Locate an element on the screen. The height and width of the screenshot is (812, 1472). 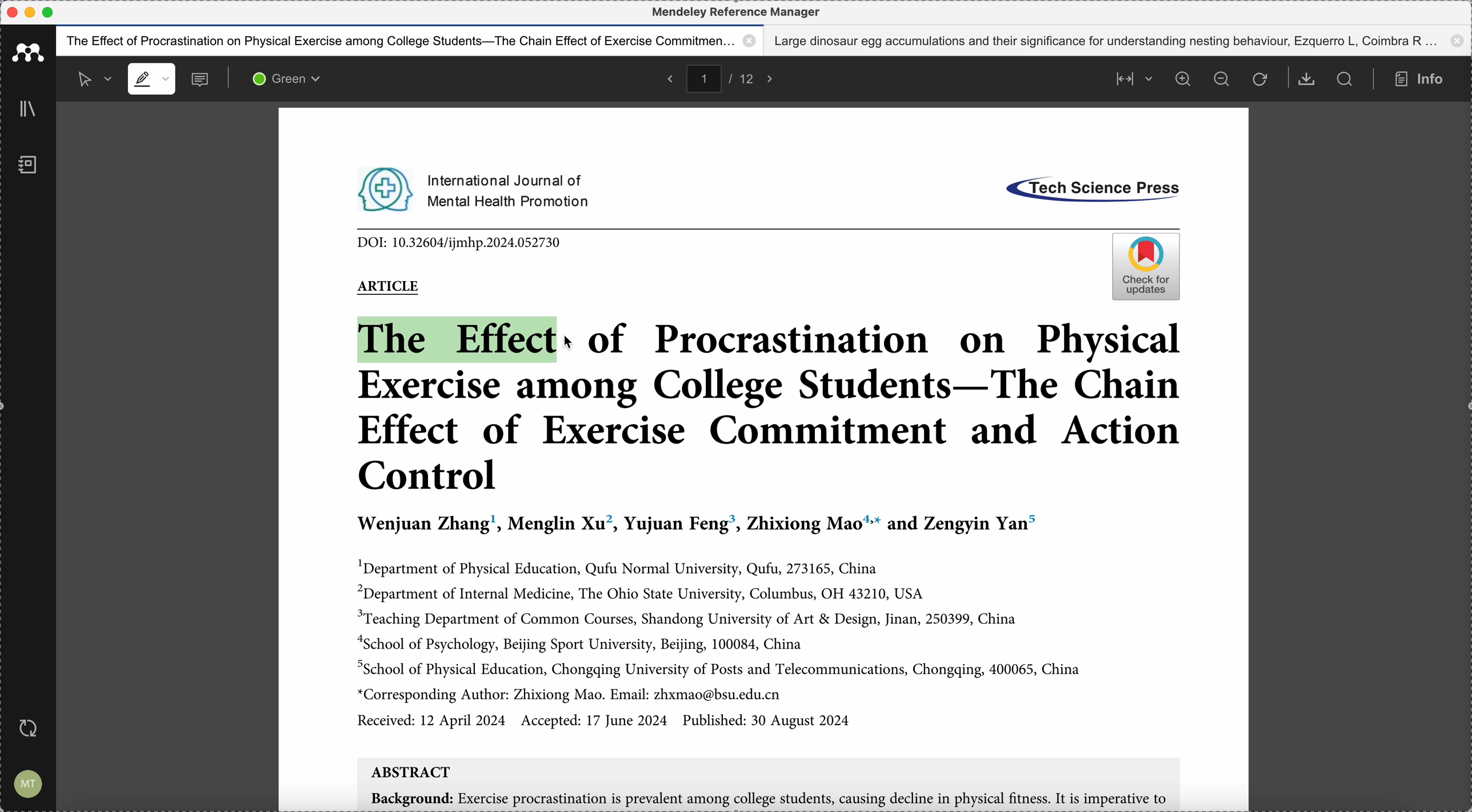
info is located at coordinates (1423, 79).